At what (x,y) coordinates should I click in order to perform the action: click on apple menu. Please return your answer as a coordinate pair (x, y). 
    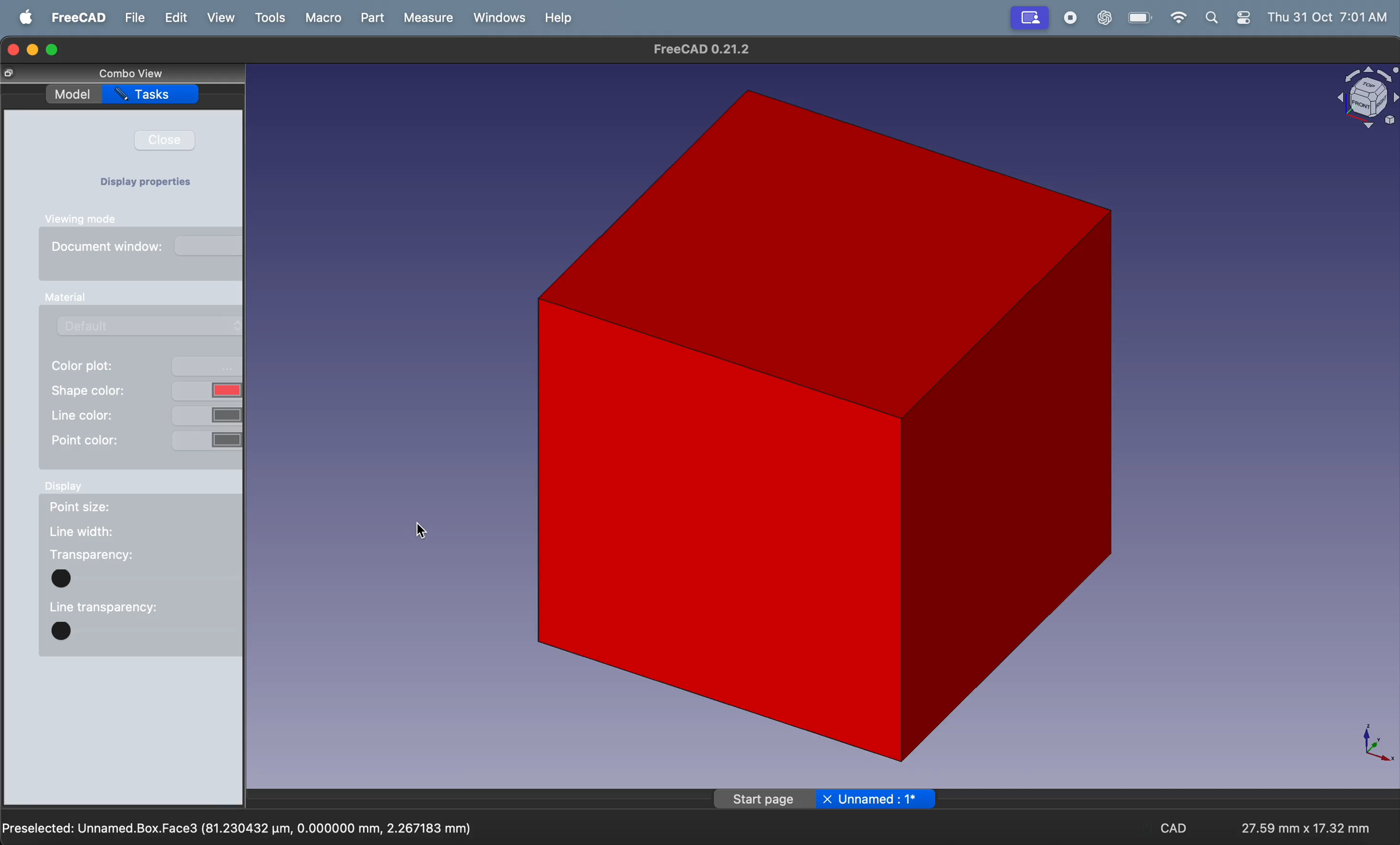
    Looking at the image, I should click on (26, 18).